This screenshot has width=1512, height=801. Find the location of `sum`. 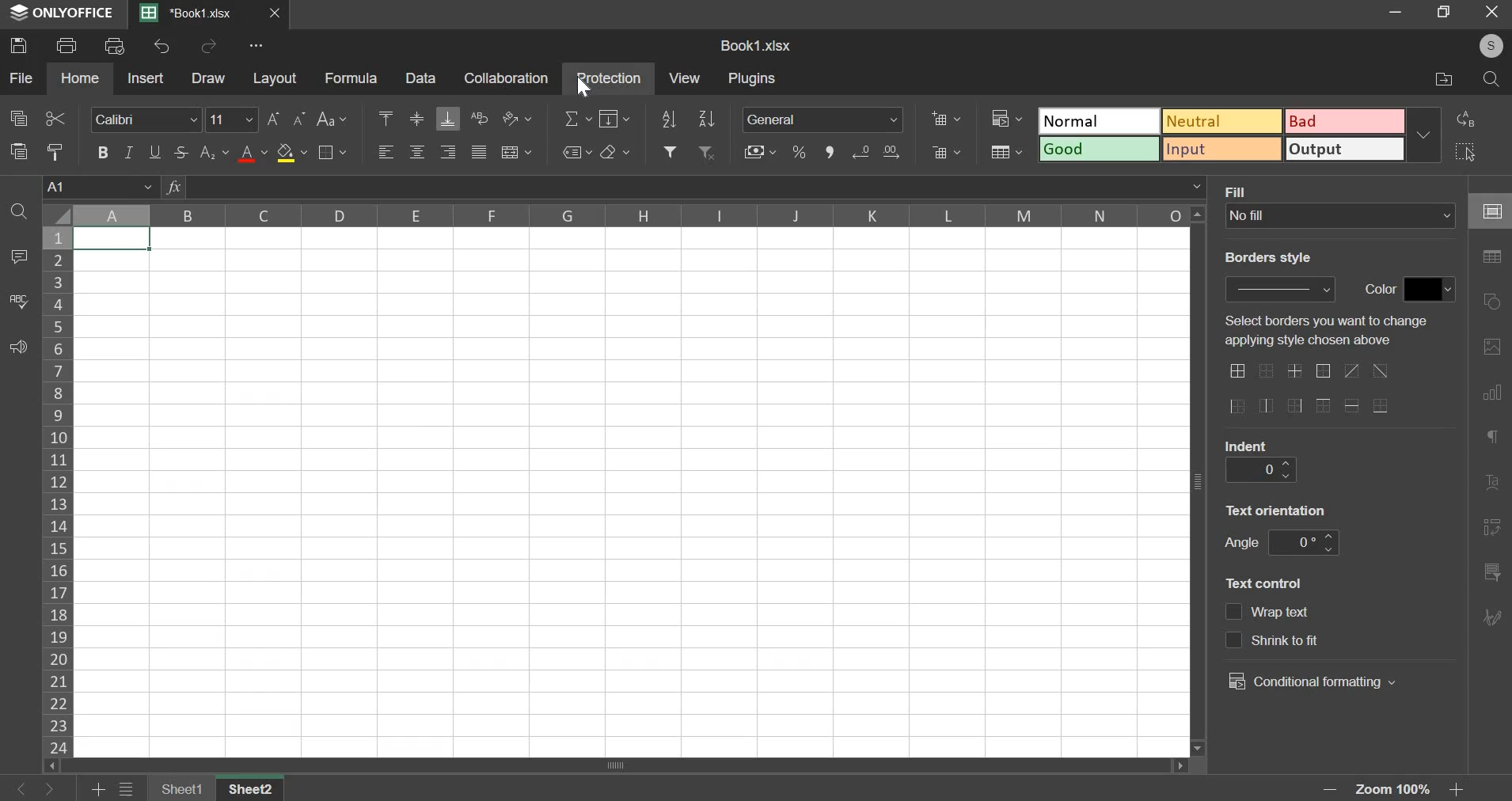

sum is located at coordinates (578, 120).